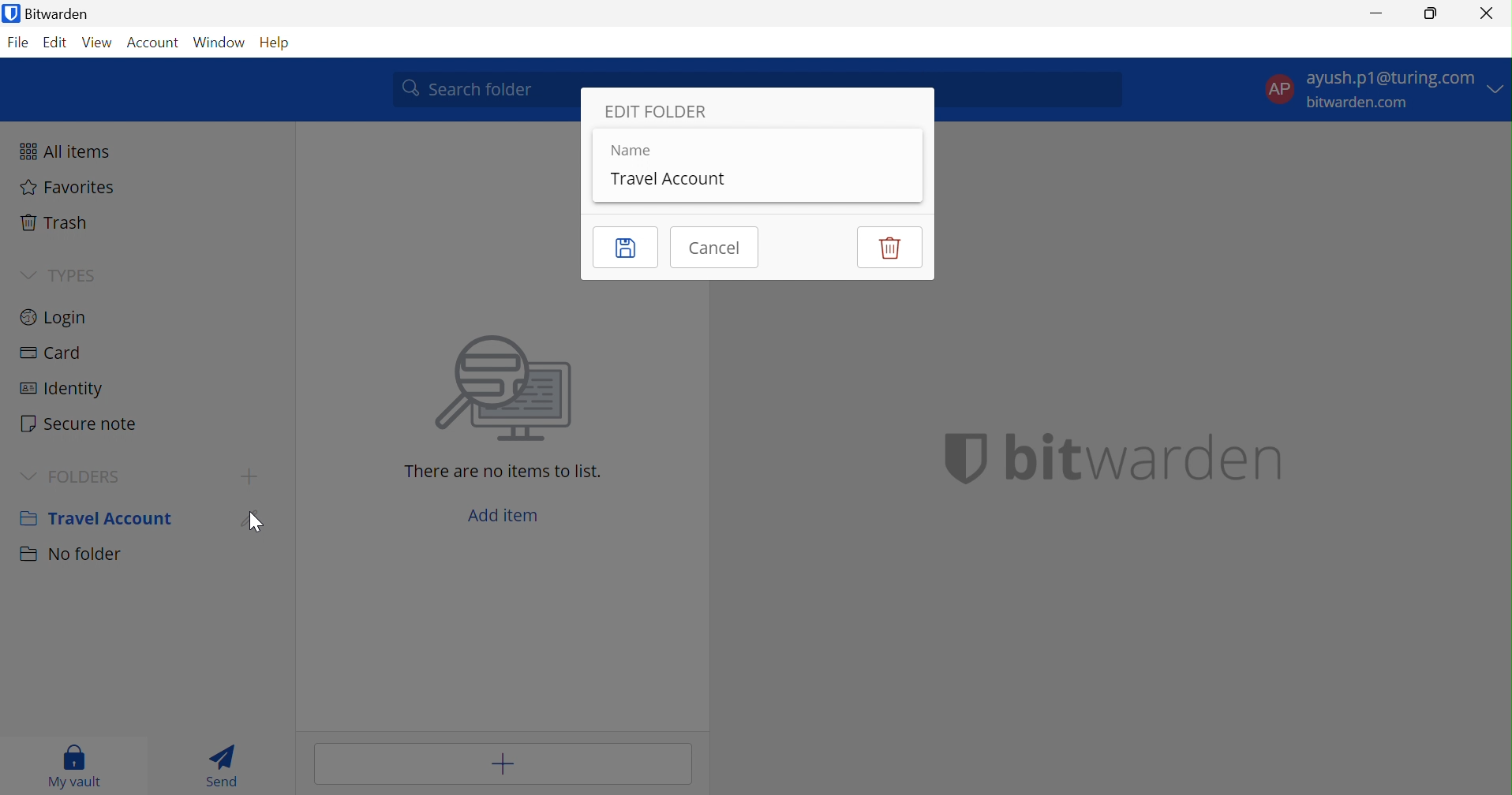  What do you see at coordinates (505, 390) in the screenshot?
I see `searching for file image` at bounding box center [505, 390].